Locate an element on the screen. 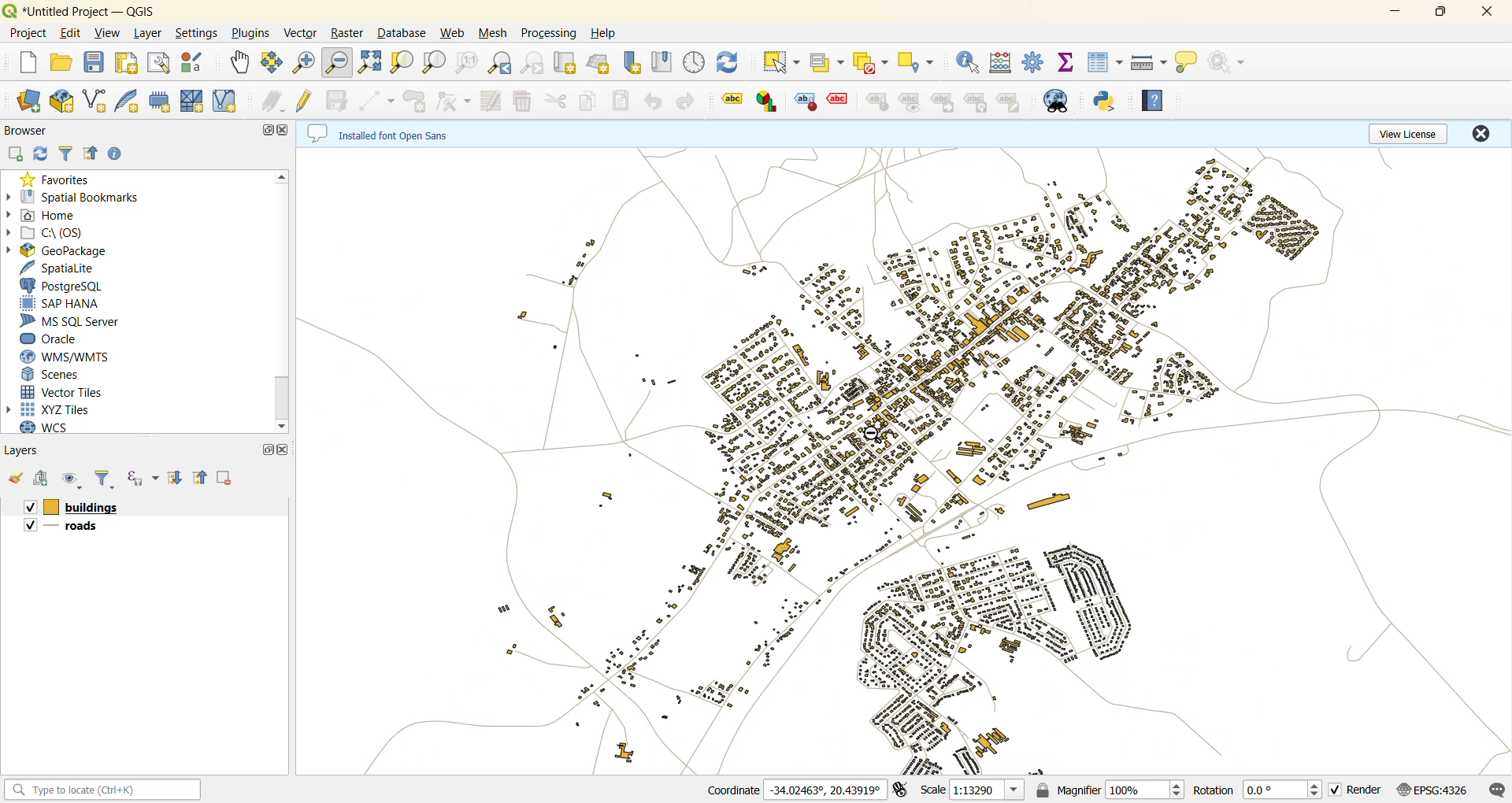  toggle edits is located at coordinates (306, 101).